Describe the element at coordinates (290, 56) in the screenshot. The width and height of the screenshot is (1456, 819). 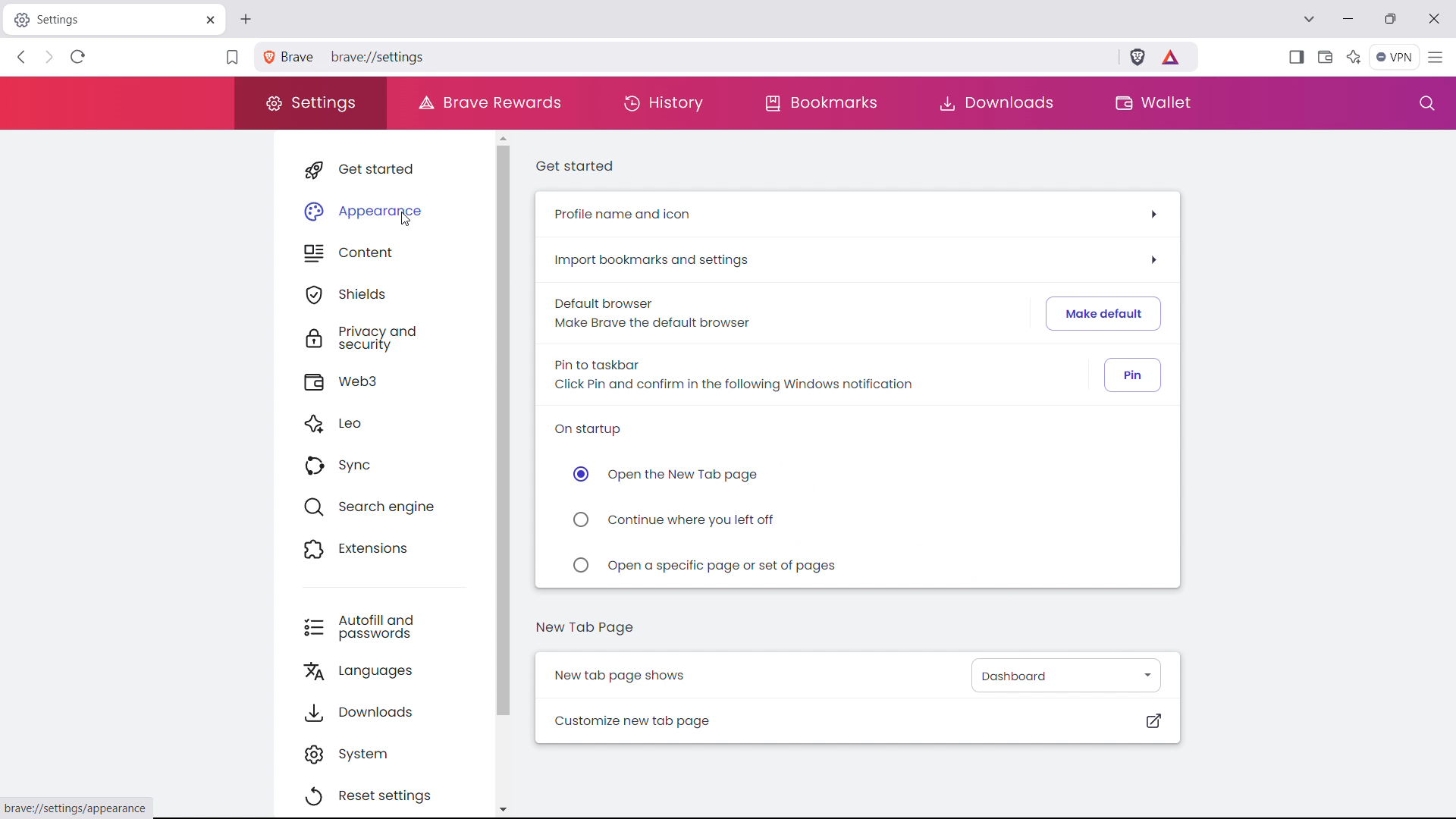
I see `Brave` at that location.